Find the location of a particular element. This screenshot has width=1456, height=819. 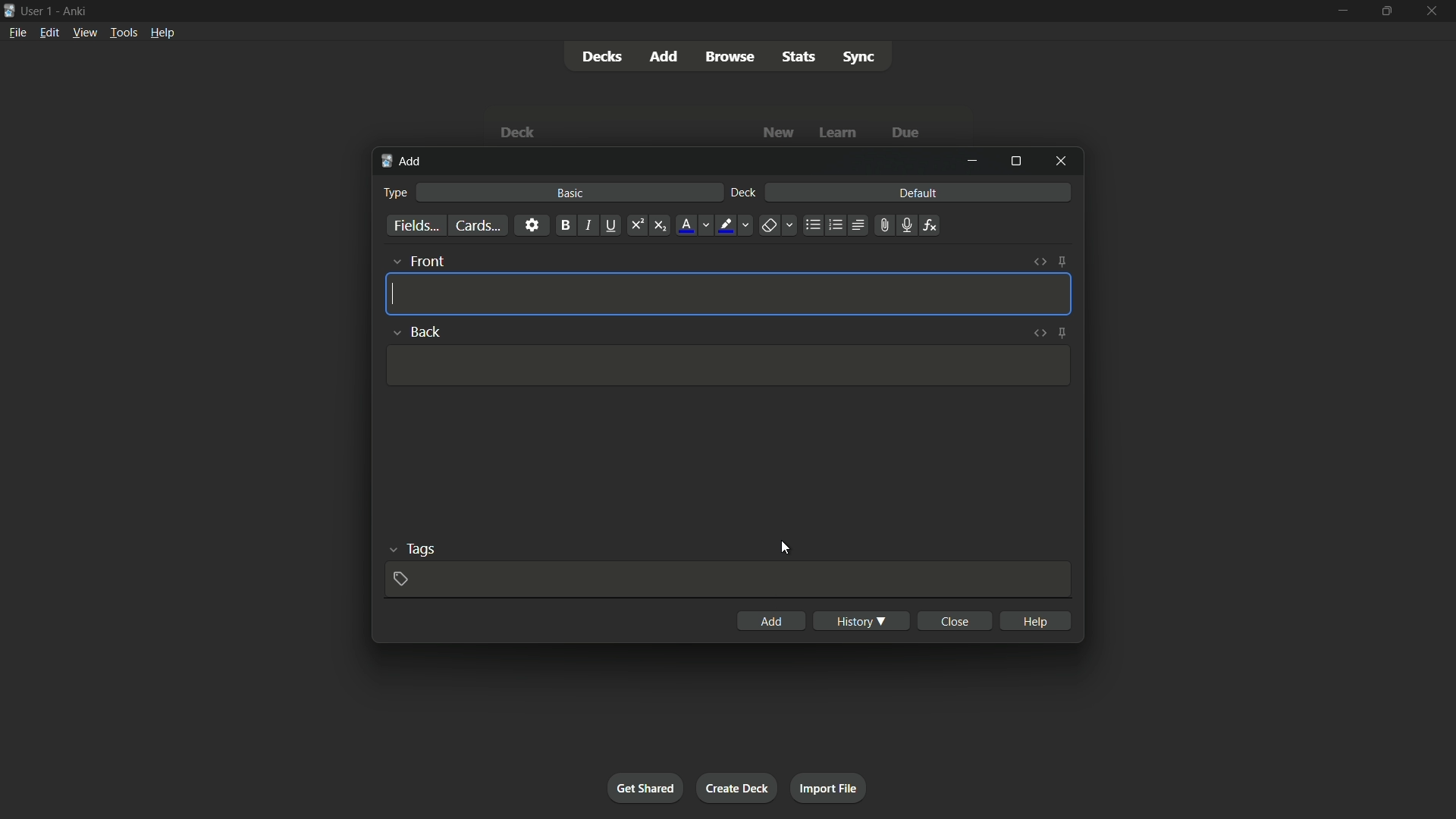

toggle sticky is located at coordinates (1061, 334).